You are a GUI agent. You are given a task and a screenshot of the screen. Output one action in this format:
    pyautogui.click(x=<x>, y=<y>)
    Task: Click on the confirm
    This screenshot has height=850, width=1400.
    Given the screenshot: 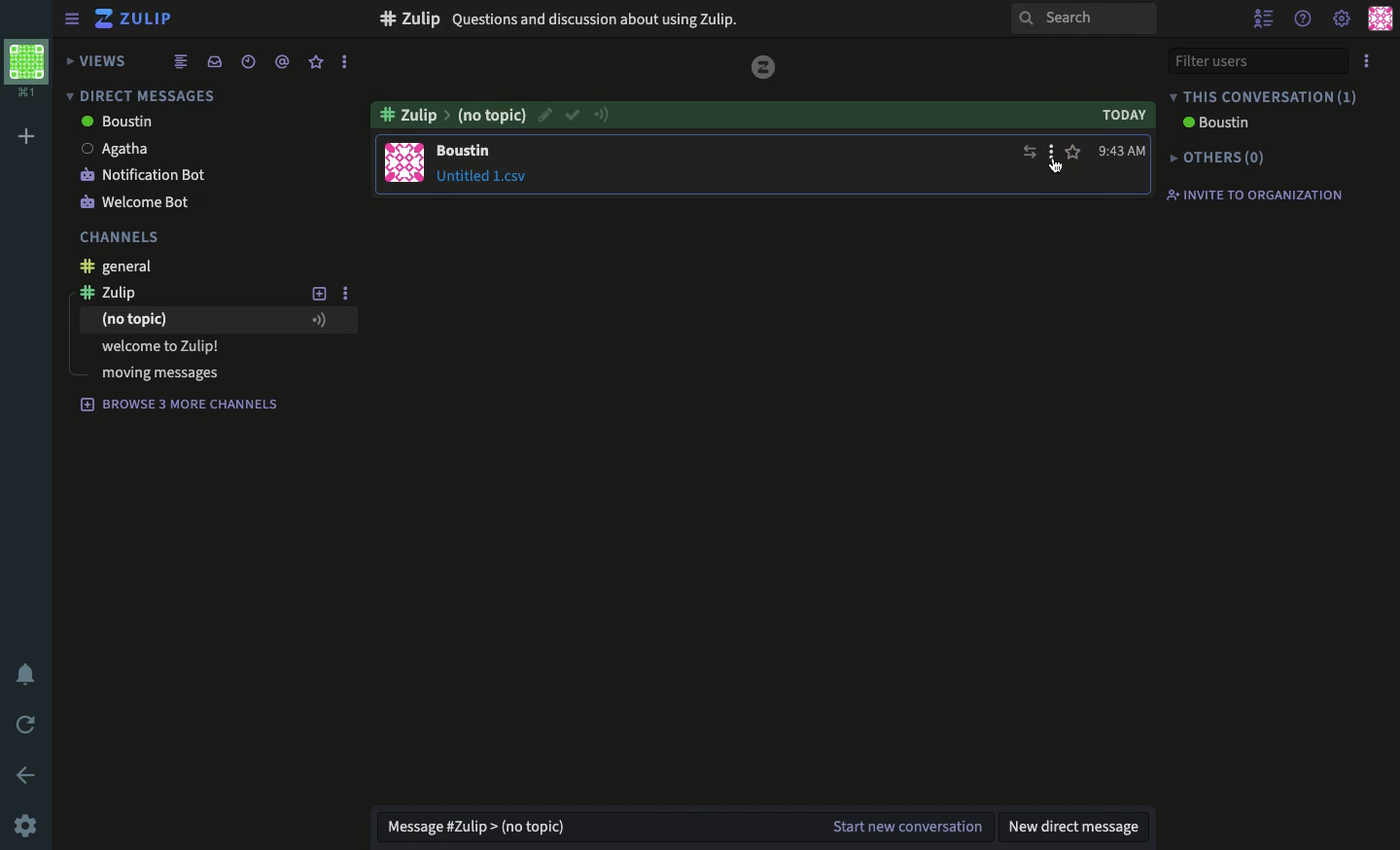 What is the action you would take?
    pyautogui.click(x=573, y=117)
    